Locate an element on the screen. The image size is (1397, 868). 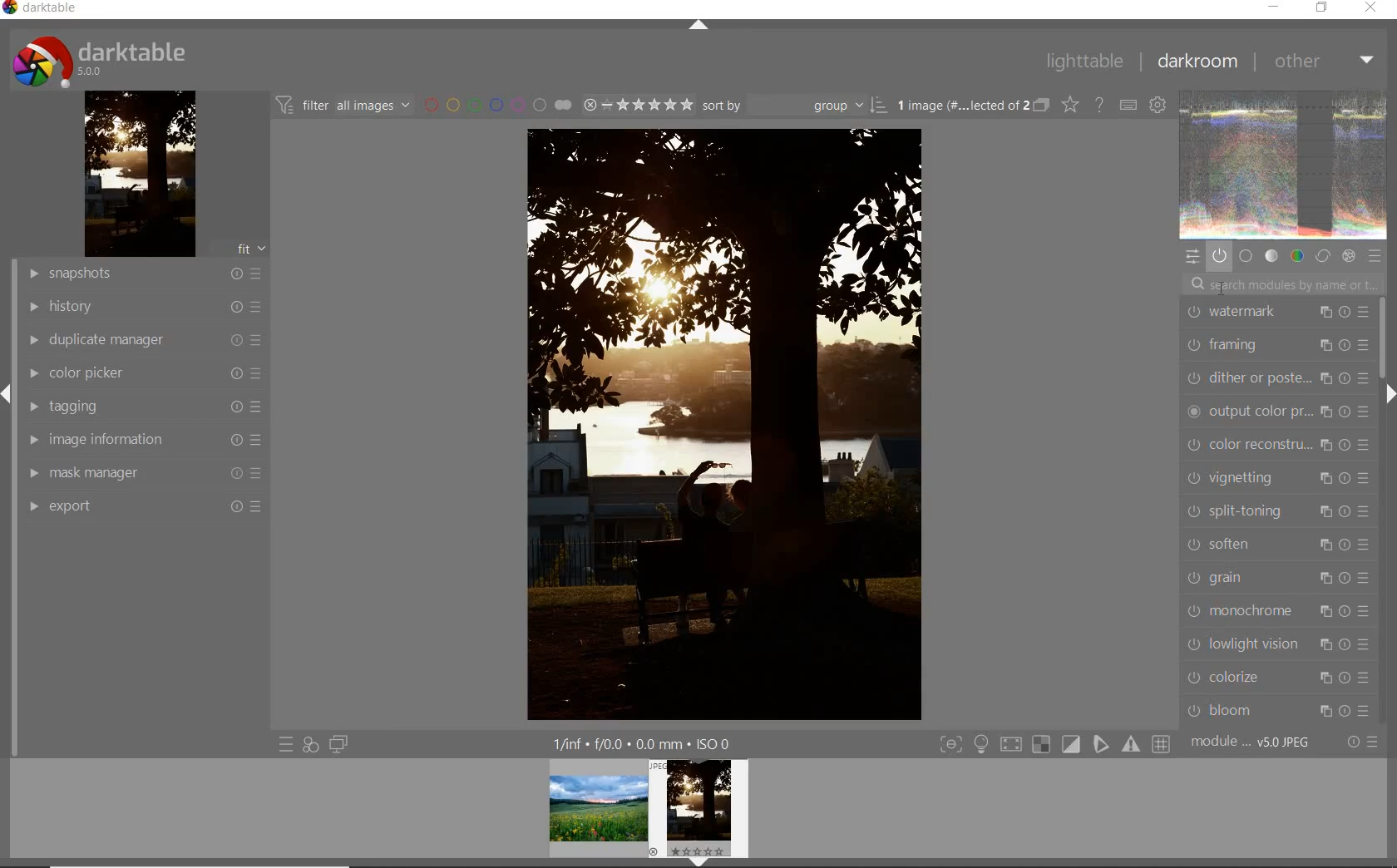
bloom is located at coordinates (1281, 709).